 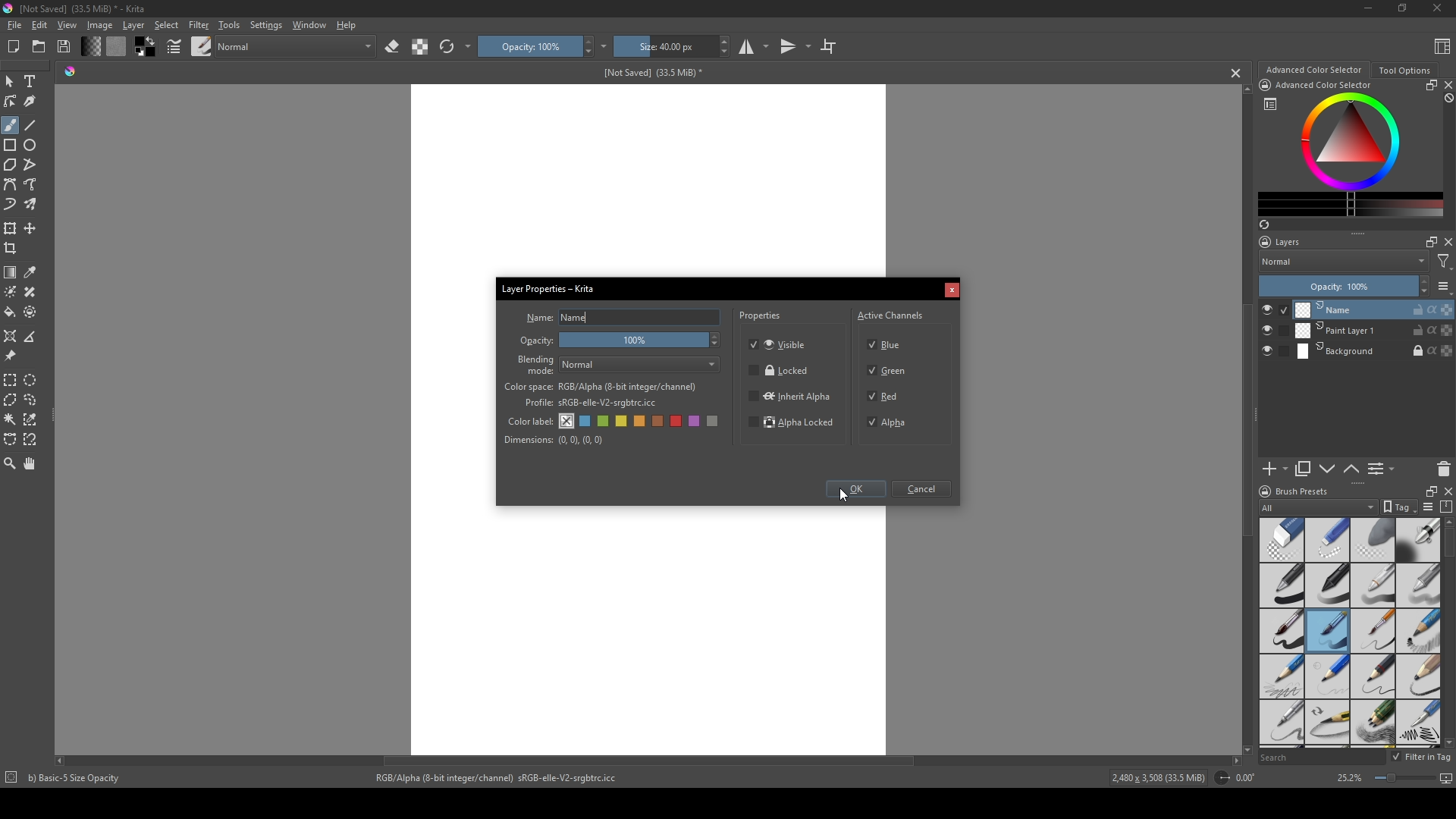 I want to click on Opacity, so click(x=538, y=341).